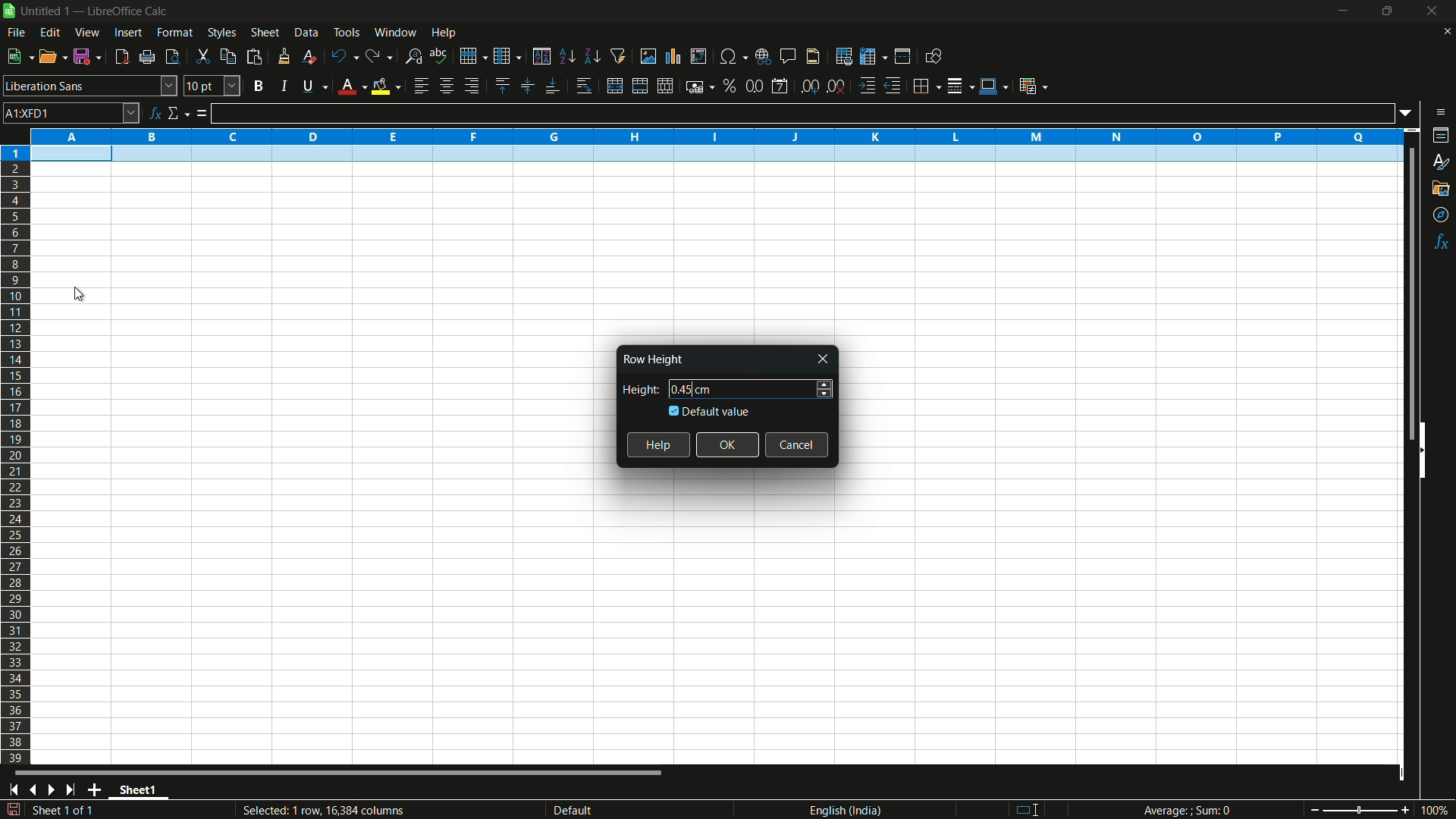 The image size is (1456, 819). I want to click on toggle print review, so click(171, 57).